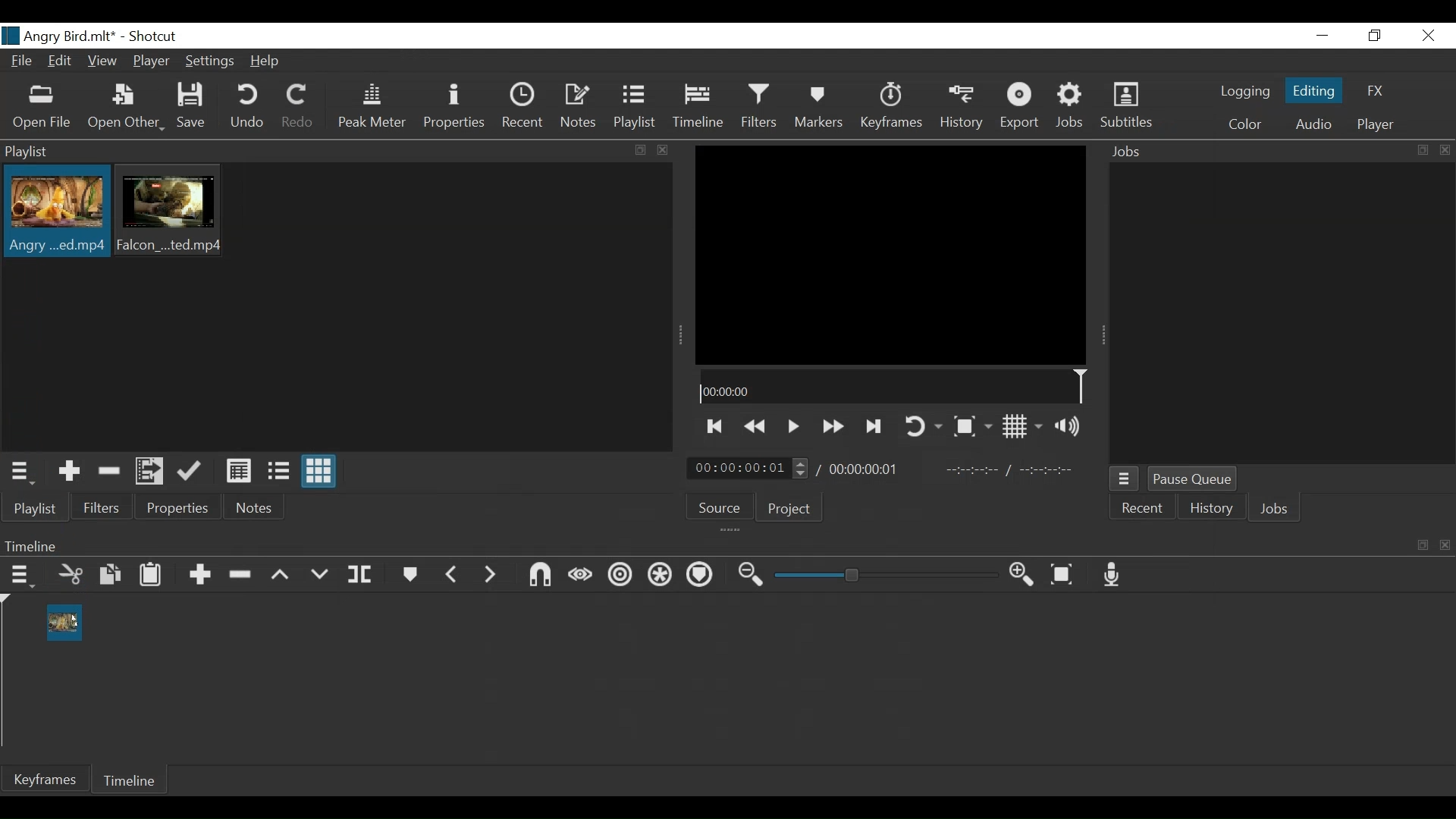 This screenshot has width=1456, height=819. What do you see at coordinates (715, 427) in the screenshot?
I see `Skip to the next point` at bounding box center [715, 427].